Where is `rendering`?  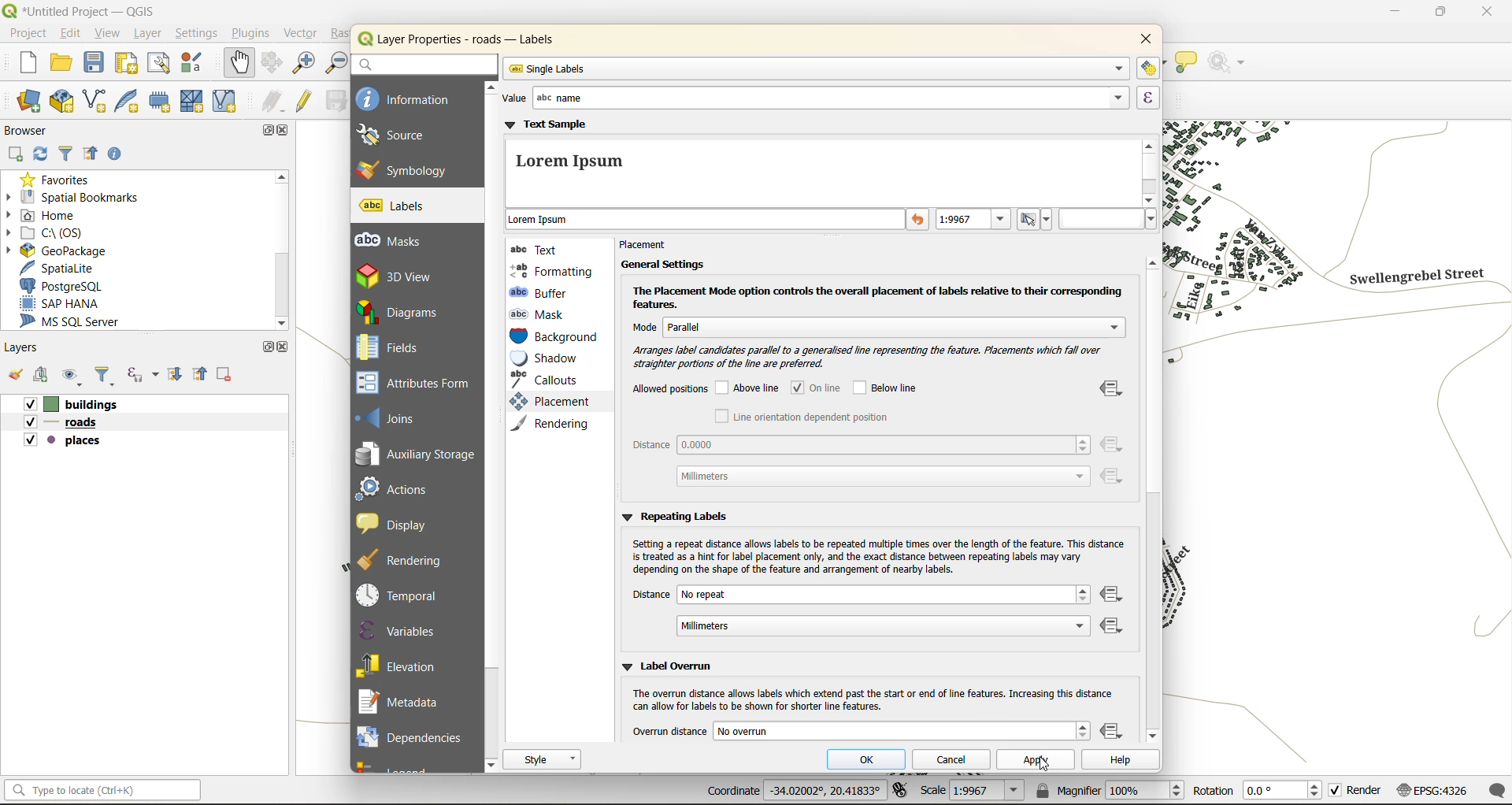 rendering is located at coordinates (556, 423).